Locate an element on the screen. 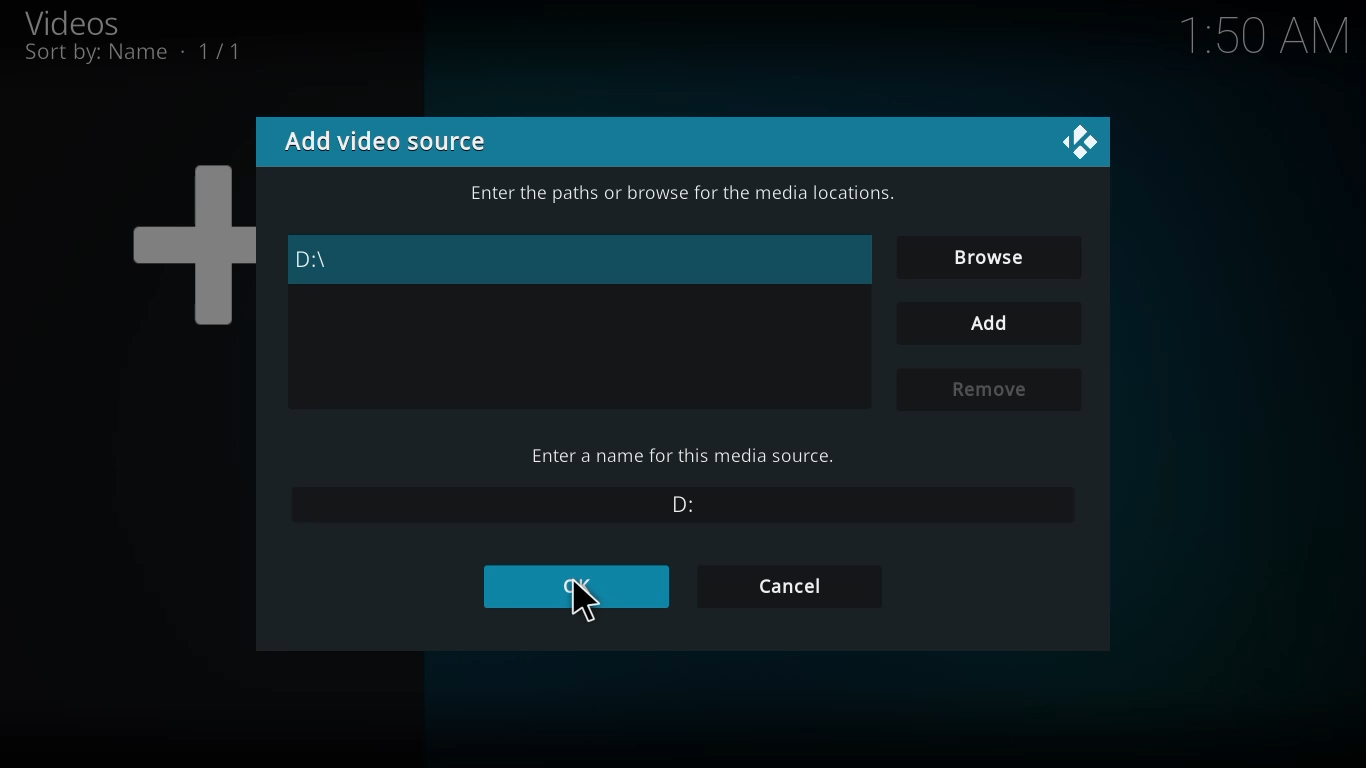 The width and height of the screenshot is (1366, 768). videos is located at coordinates (81, 21).